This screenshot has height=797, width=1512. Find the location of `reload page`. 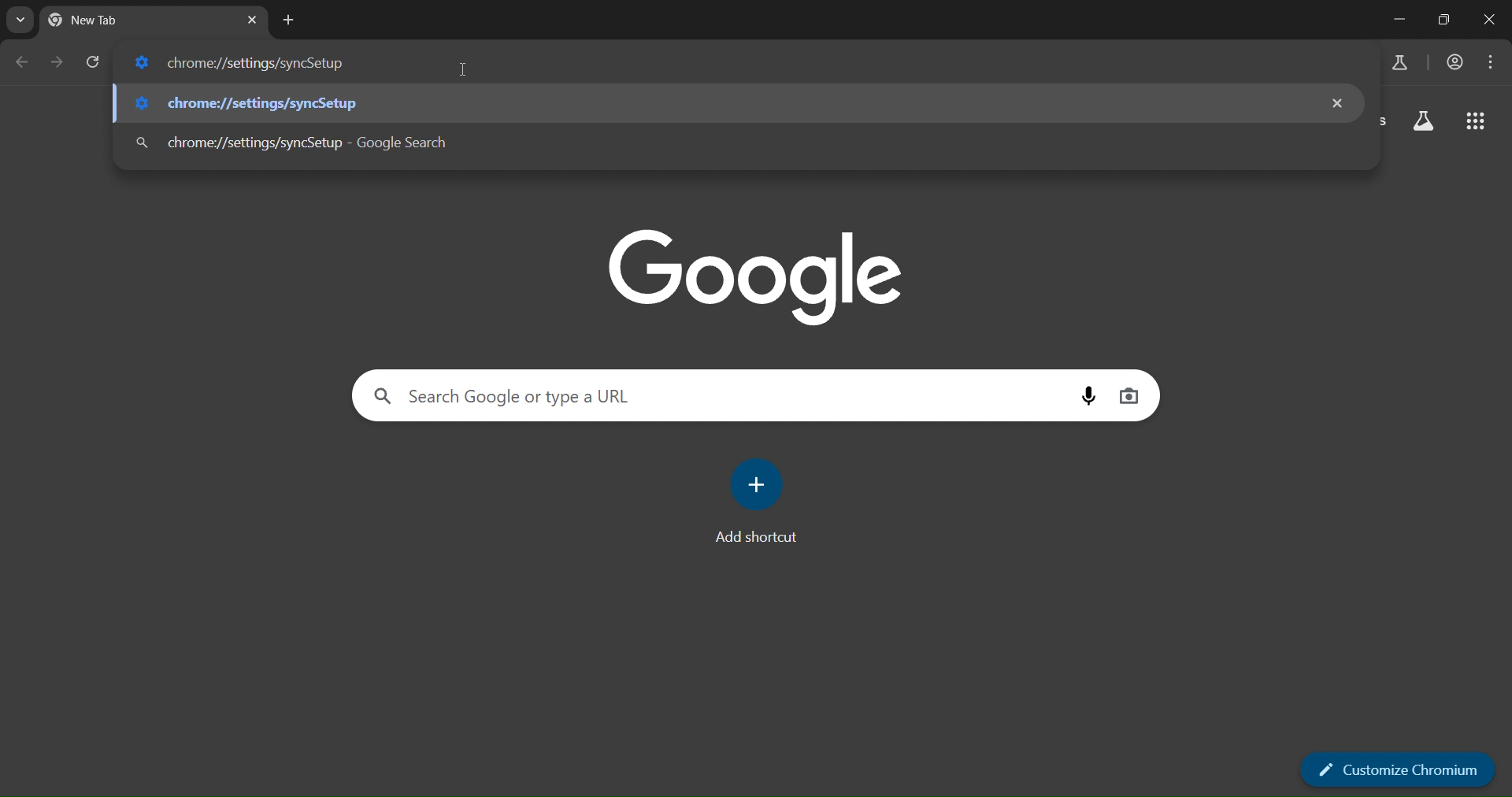

reload page is located at coordinates (95, 61).